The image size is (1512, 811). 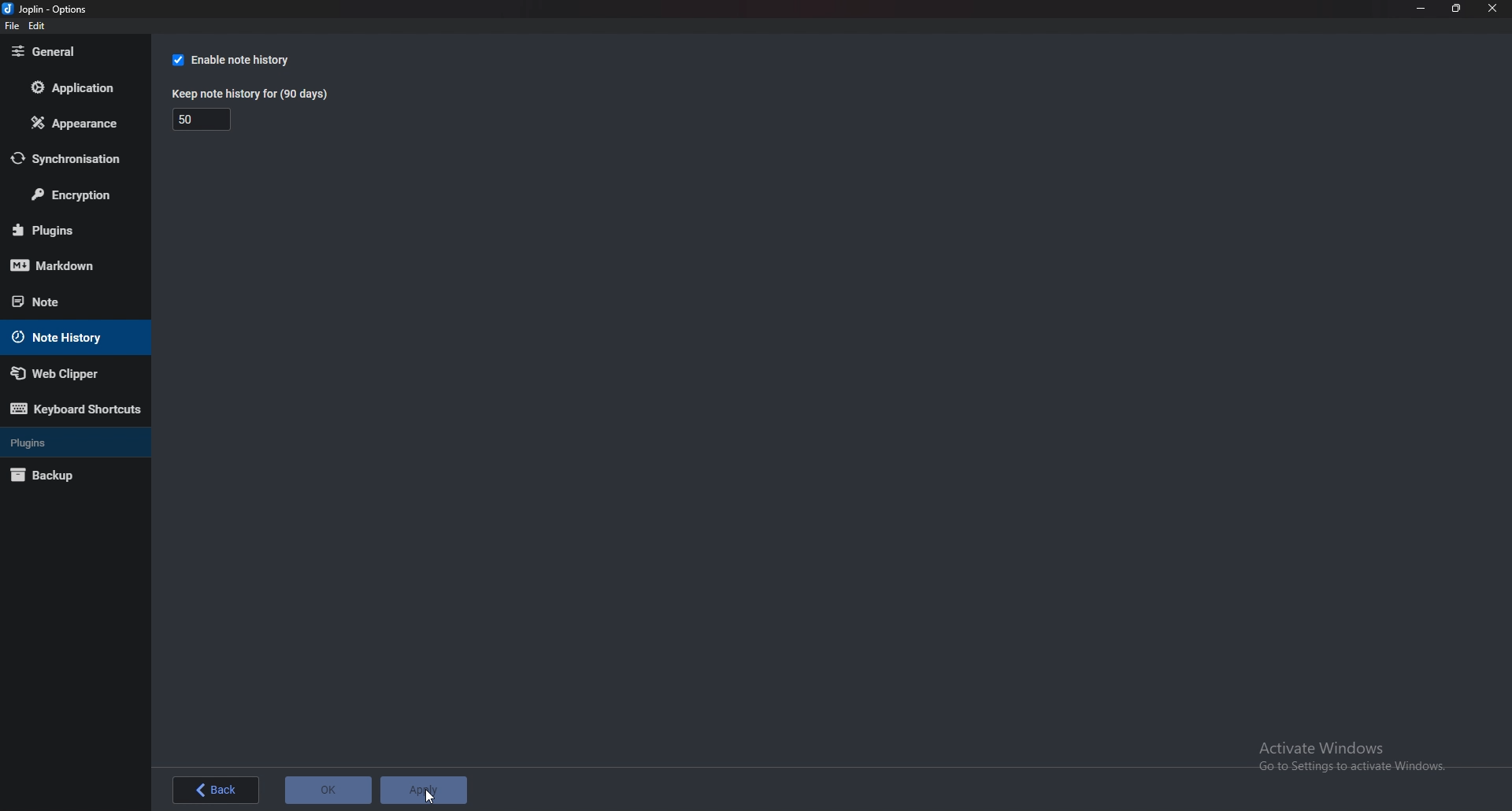 What do you see at coordinates (12, 26) in the screenshot?
I see `file` at bounding box center [12, 26].